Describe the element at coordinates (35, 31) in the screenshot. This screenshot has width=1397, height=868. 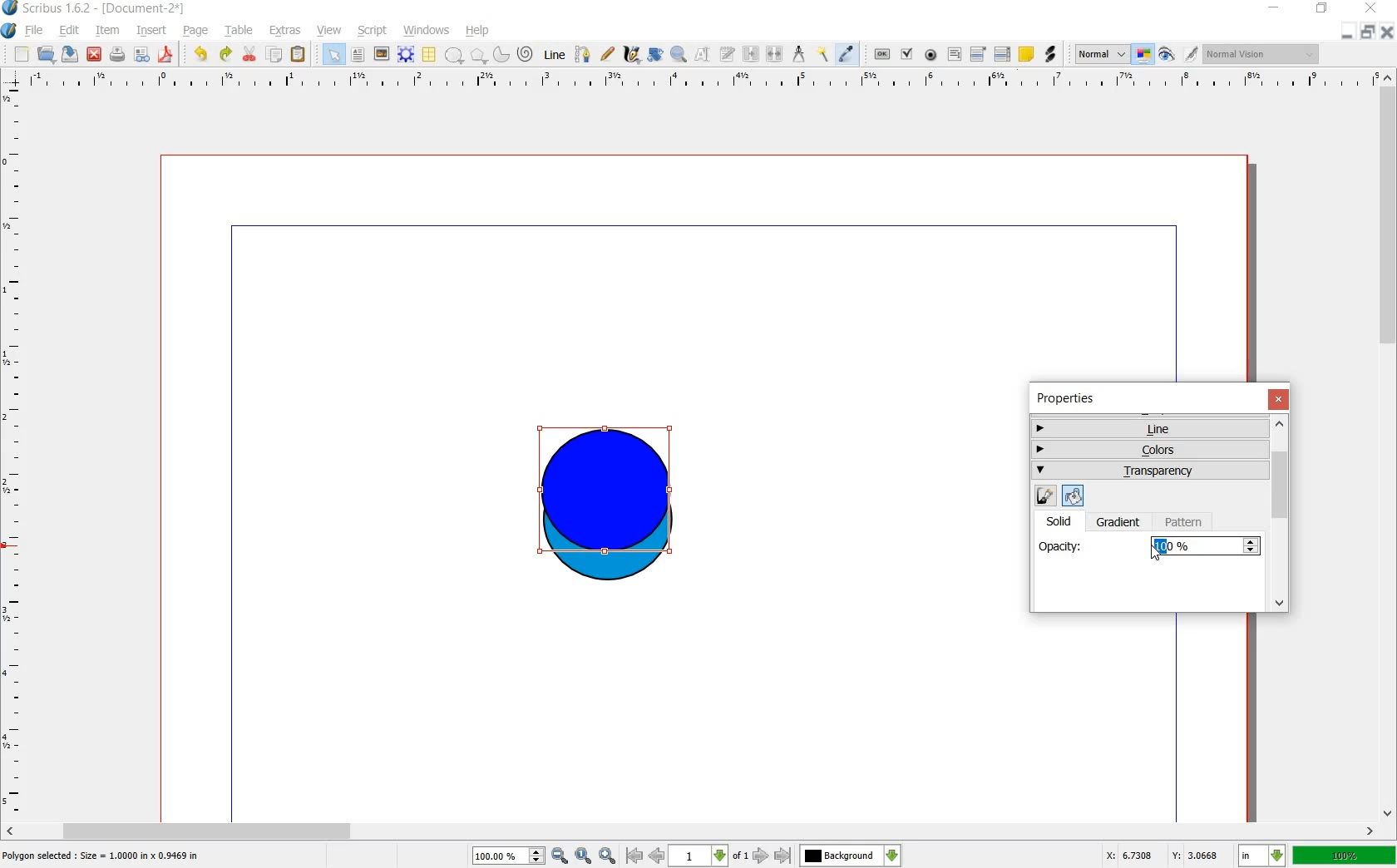
I see `file` at that location.